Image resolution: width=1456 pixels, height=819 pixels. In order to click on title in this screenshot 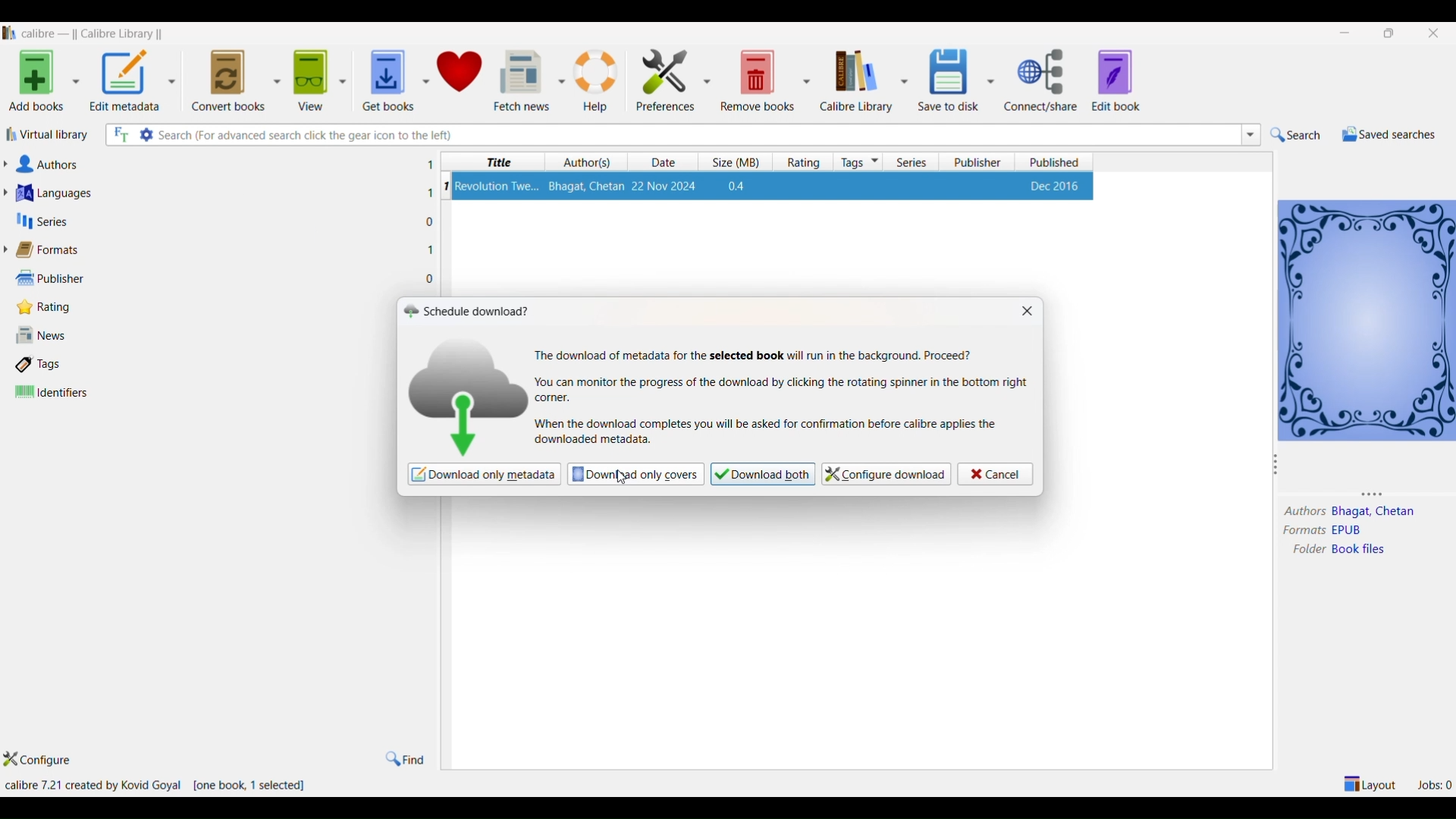, I will do `click(495, 162)`.